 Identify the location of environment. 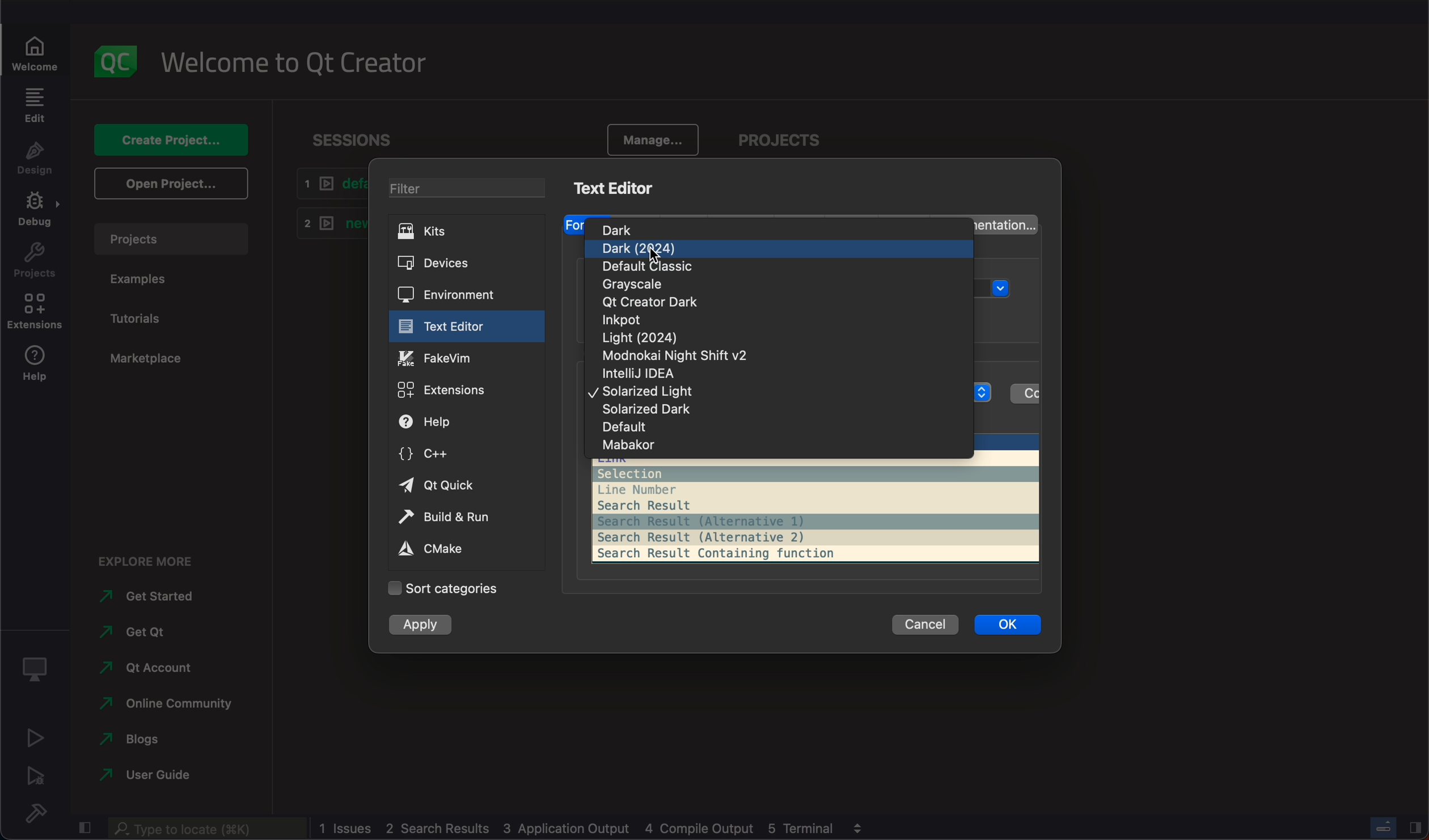
(467, 293).